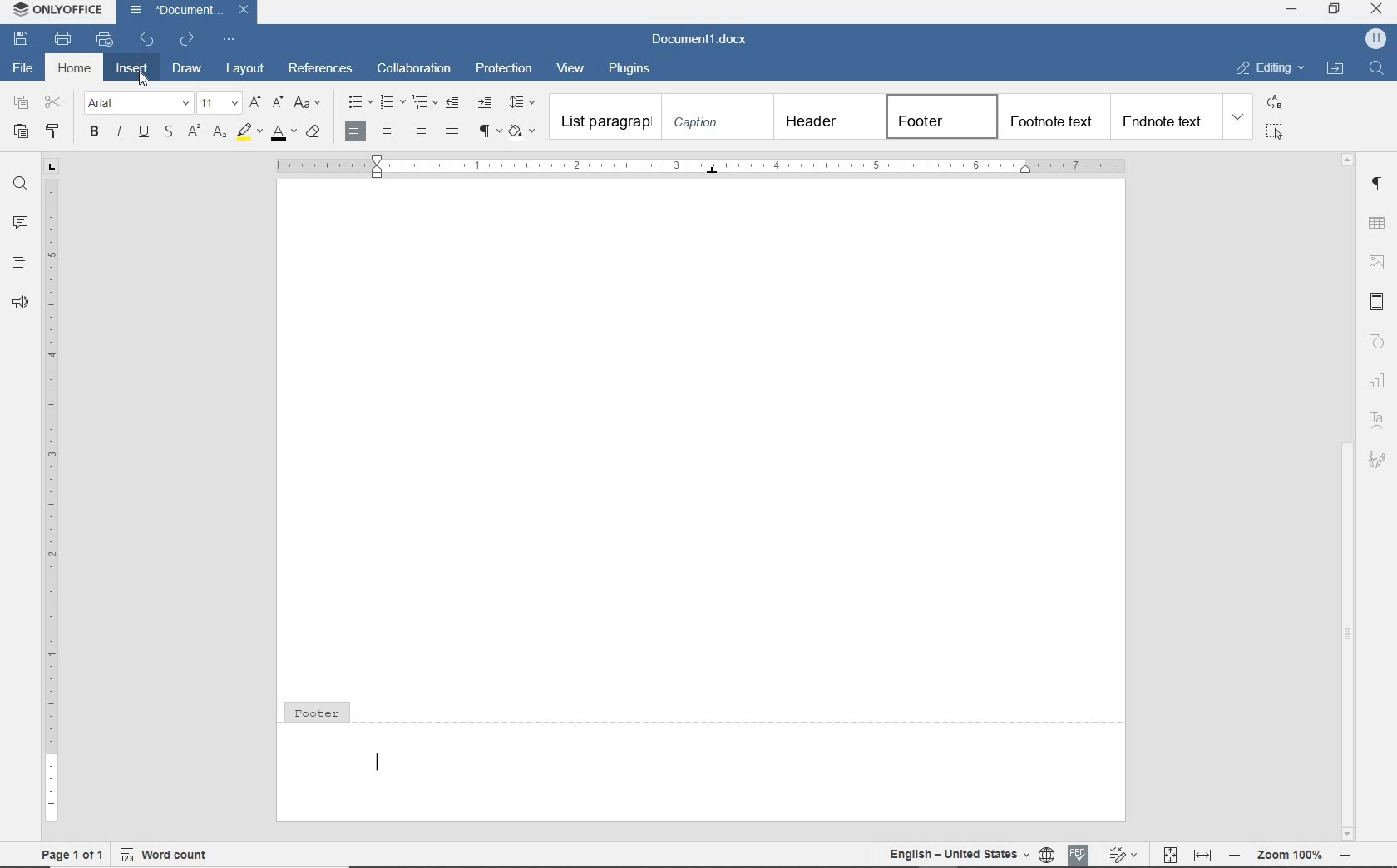 The height and width of the screenshot is (868, 1397). I want to click on set document language, so click(1047, 855).